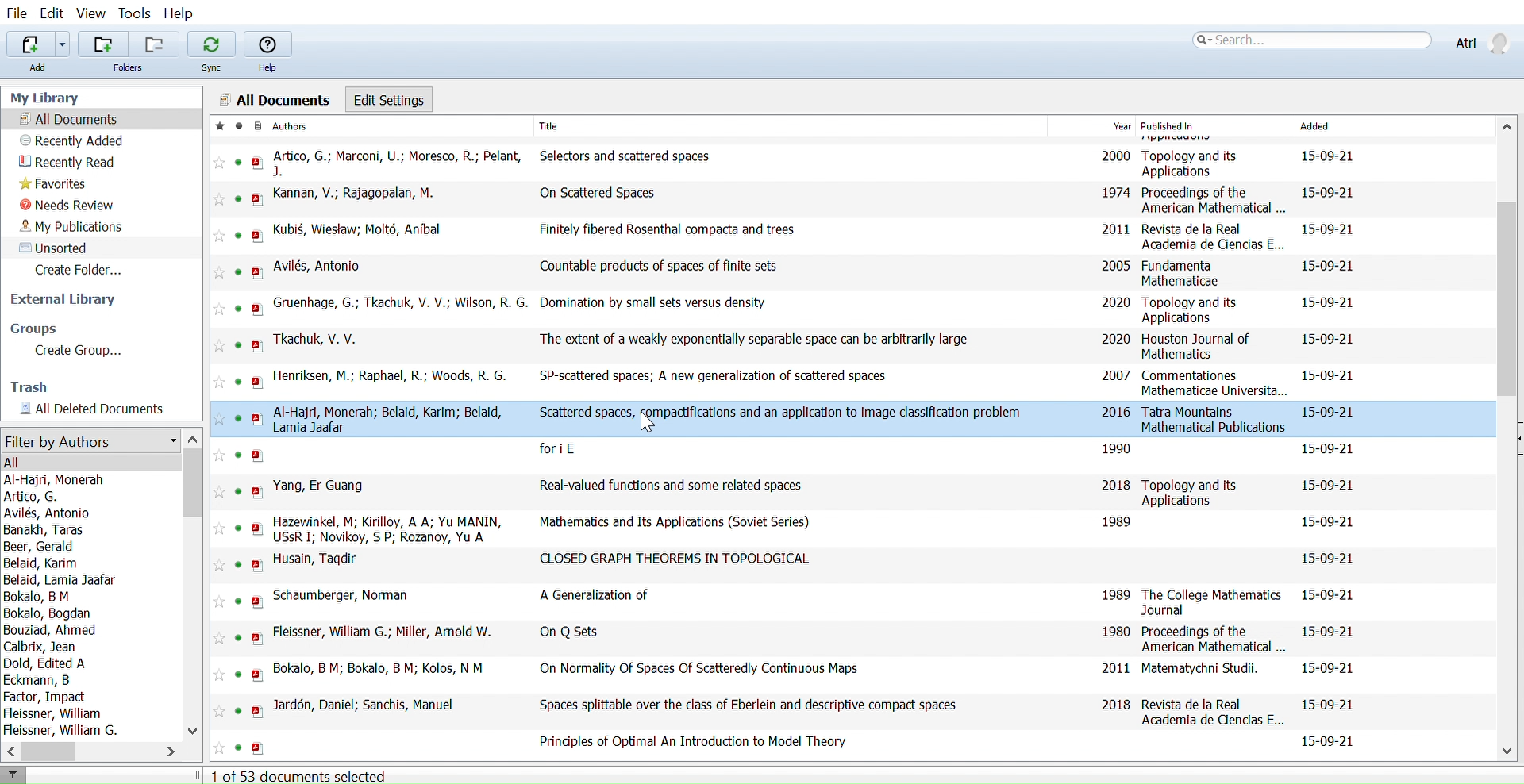  I want to click on favourite, so click(217, 419).